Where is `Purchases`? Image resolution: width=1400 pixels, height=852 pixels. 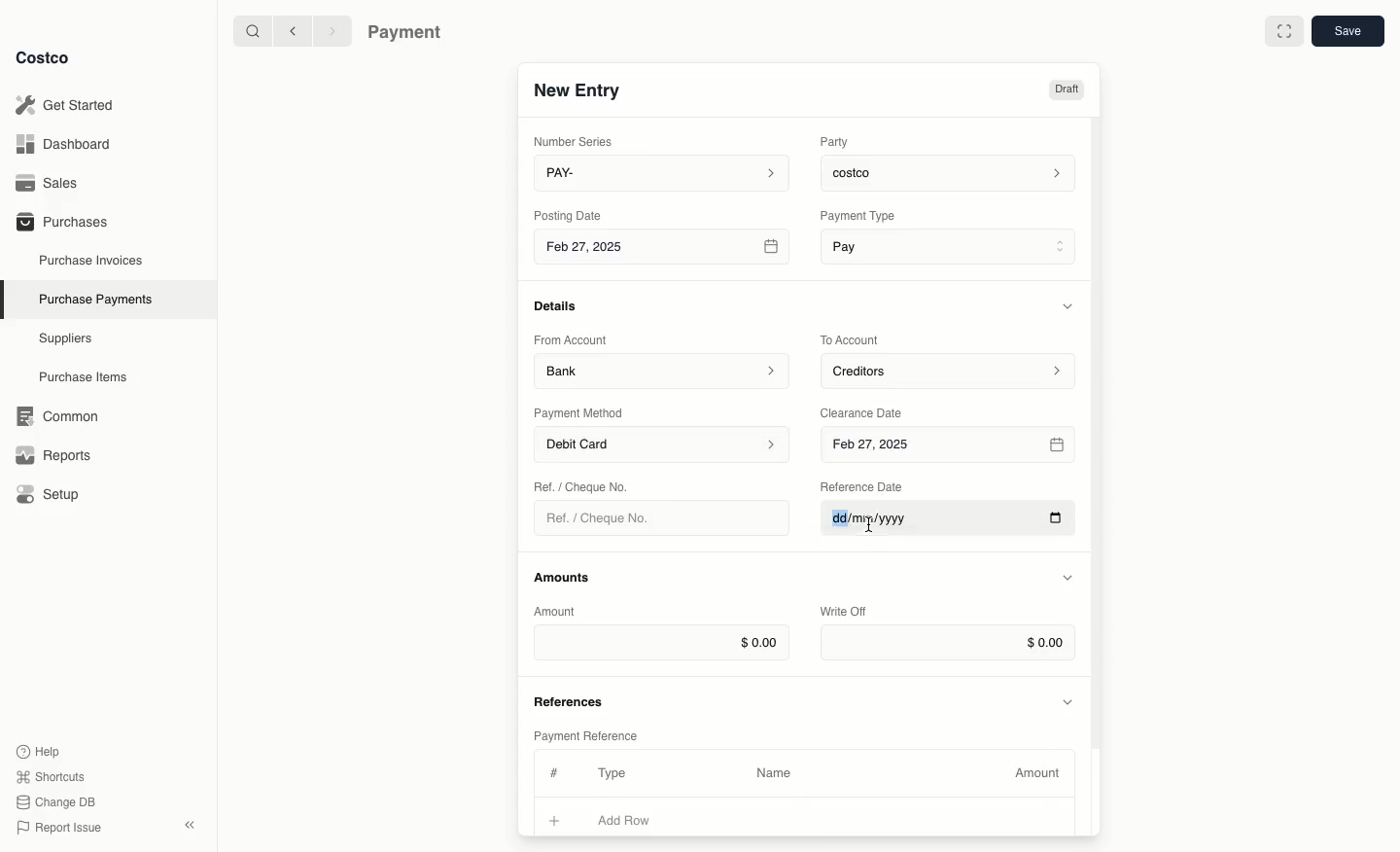 Purchases is located at coordinates (61, 221).